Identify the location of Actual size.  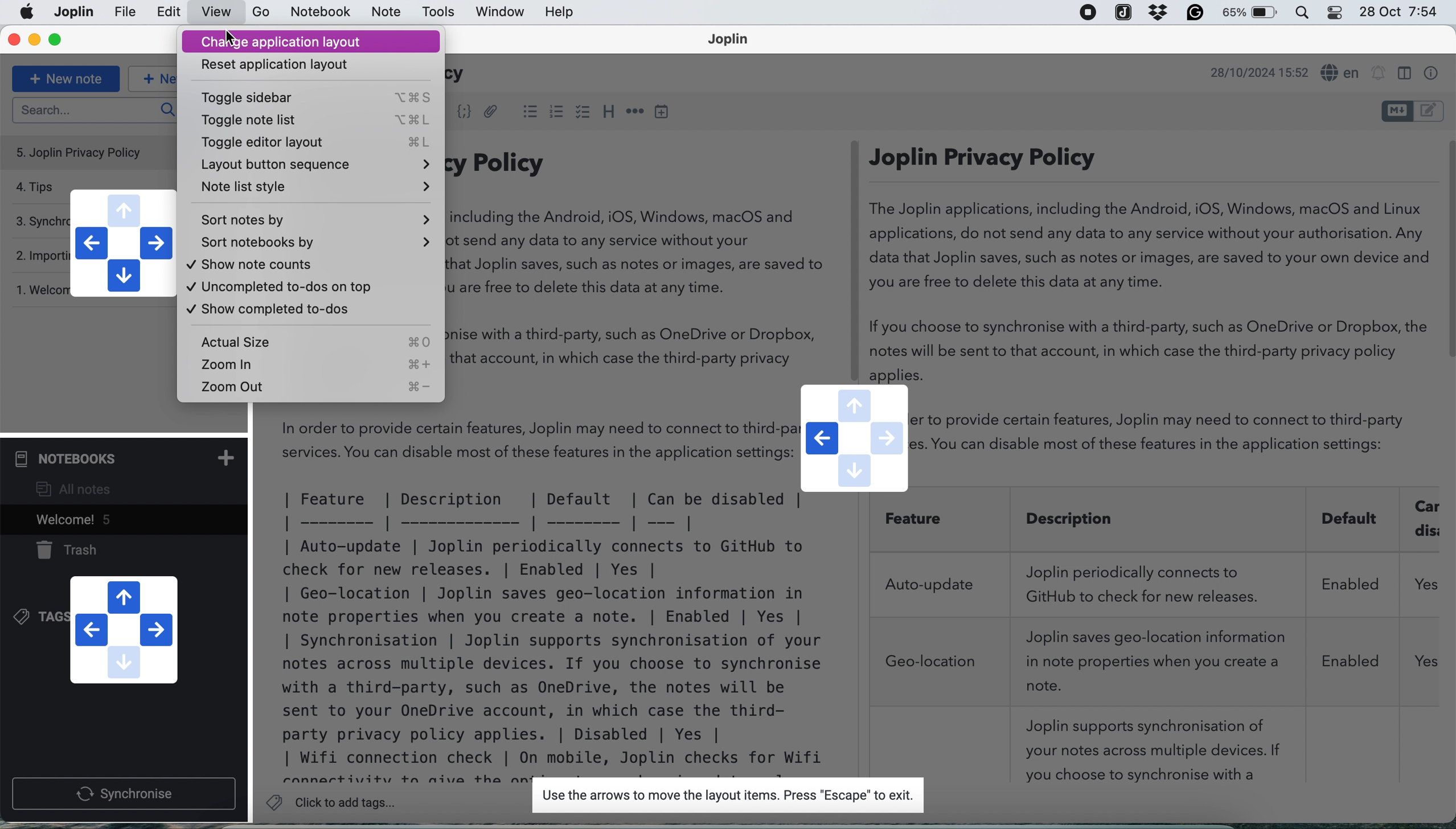
(310, 341).